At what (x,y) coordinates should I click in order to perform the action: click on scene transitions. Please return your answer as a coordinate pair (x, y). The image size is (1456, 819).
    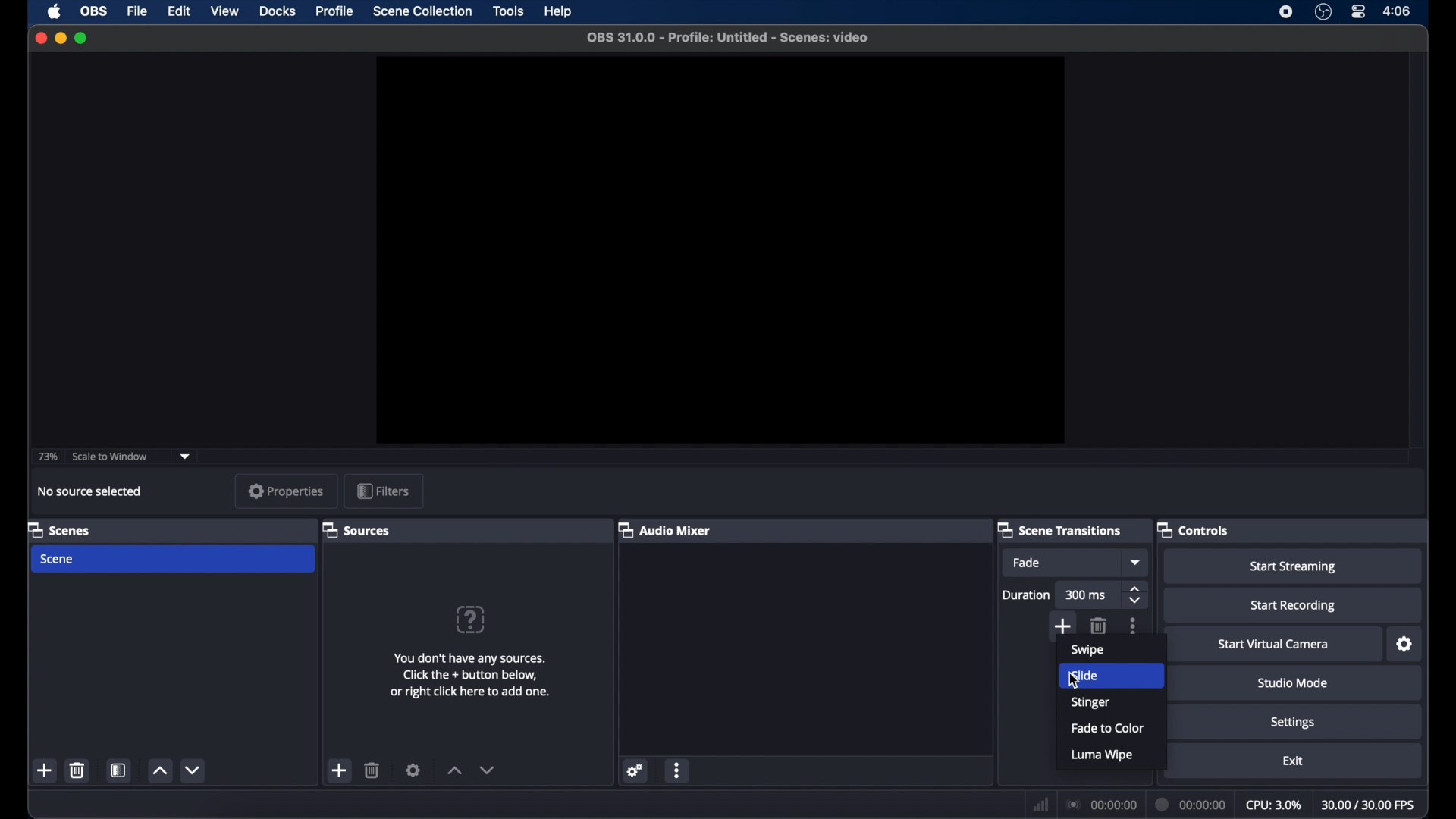
    Looking at the image, I should click on (1062, 529).